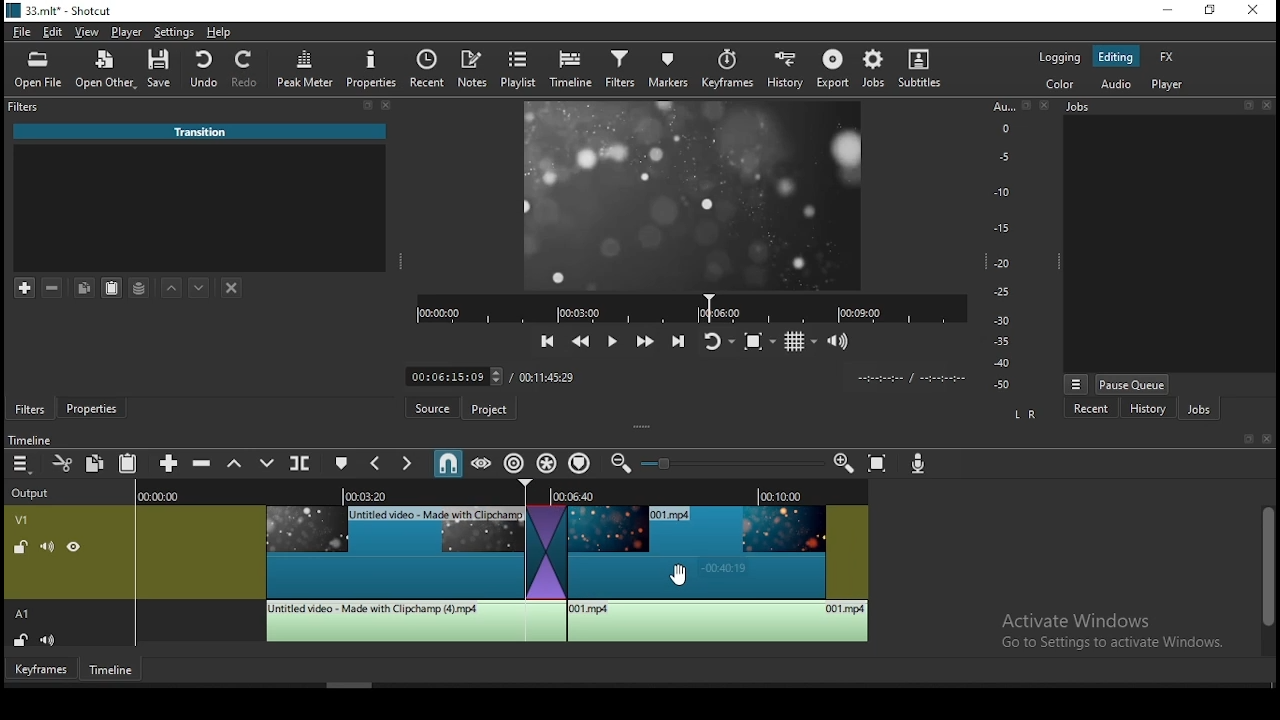  What do you see at coordinates (235, 464) in the screenshot?
I see `lift` at bounding box center [235, 464].